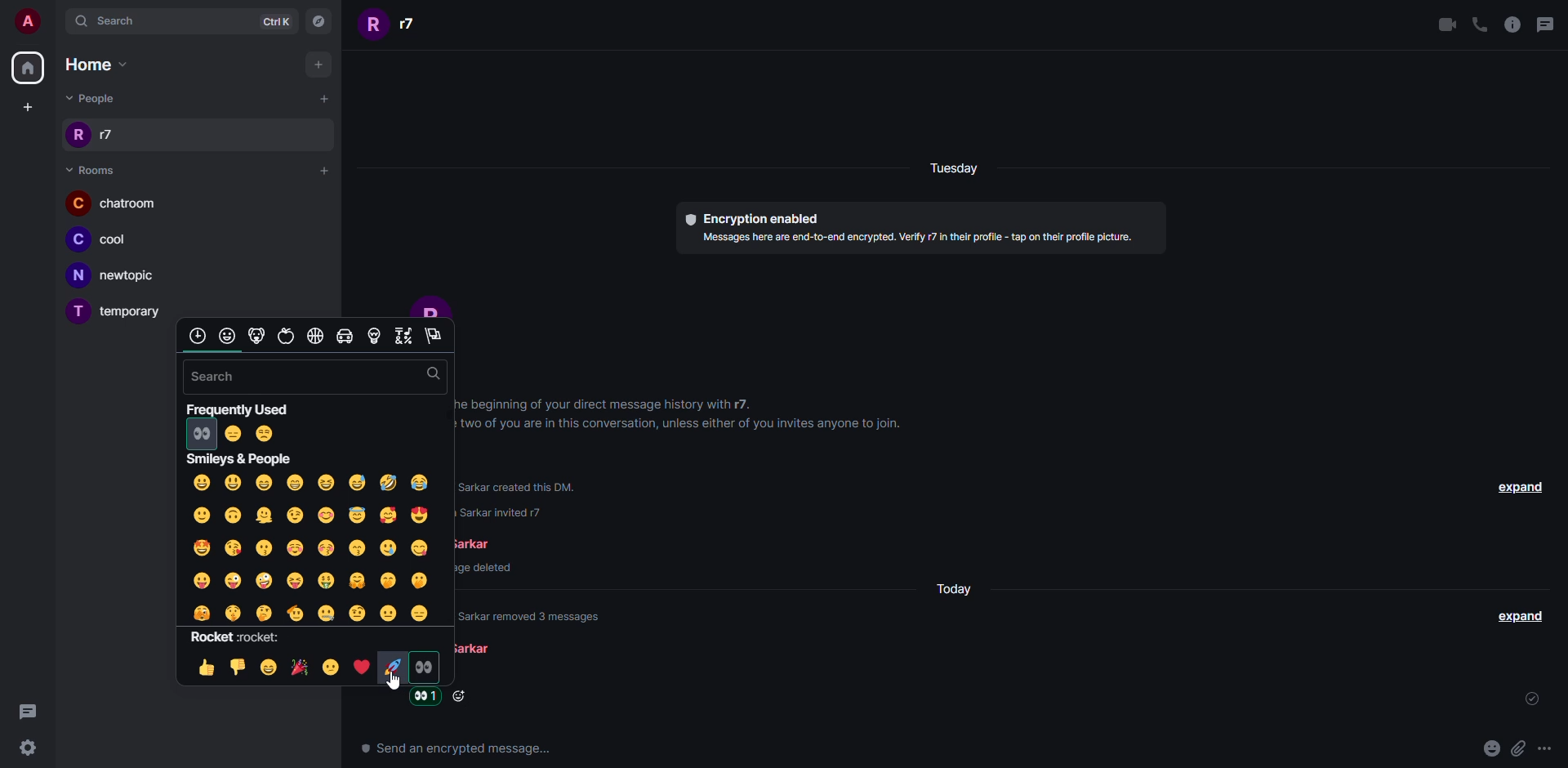 The width and height of the screenshot is (1568, 768). I want to click on navigator, so click(323, 21).